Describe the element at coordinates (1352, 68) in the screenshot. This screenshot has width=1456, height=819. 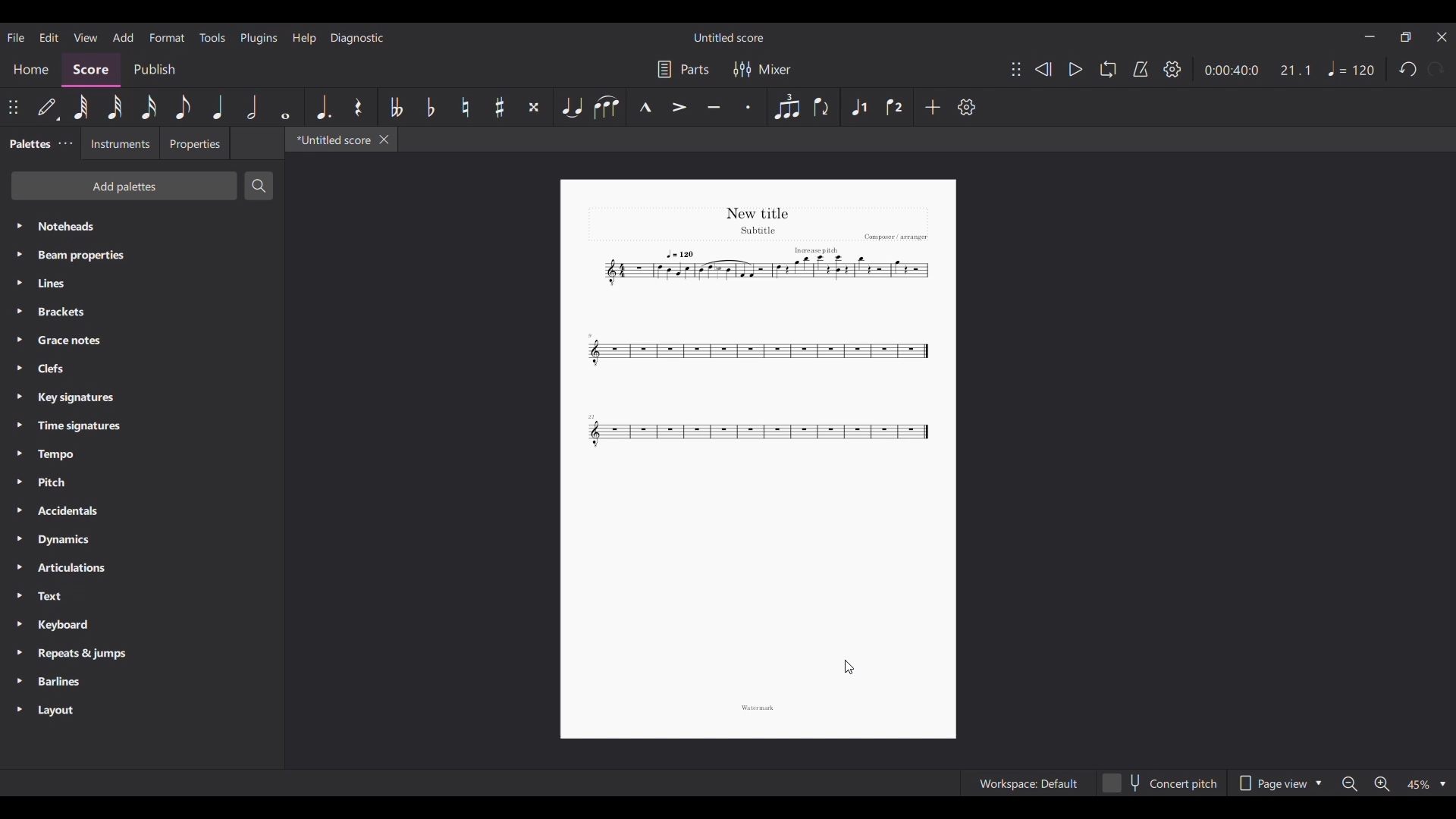
I see `Tempo` at that location.